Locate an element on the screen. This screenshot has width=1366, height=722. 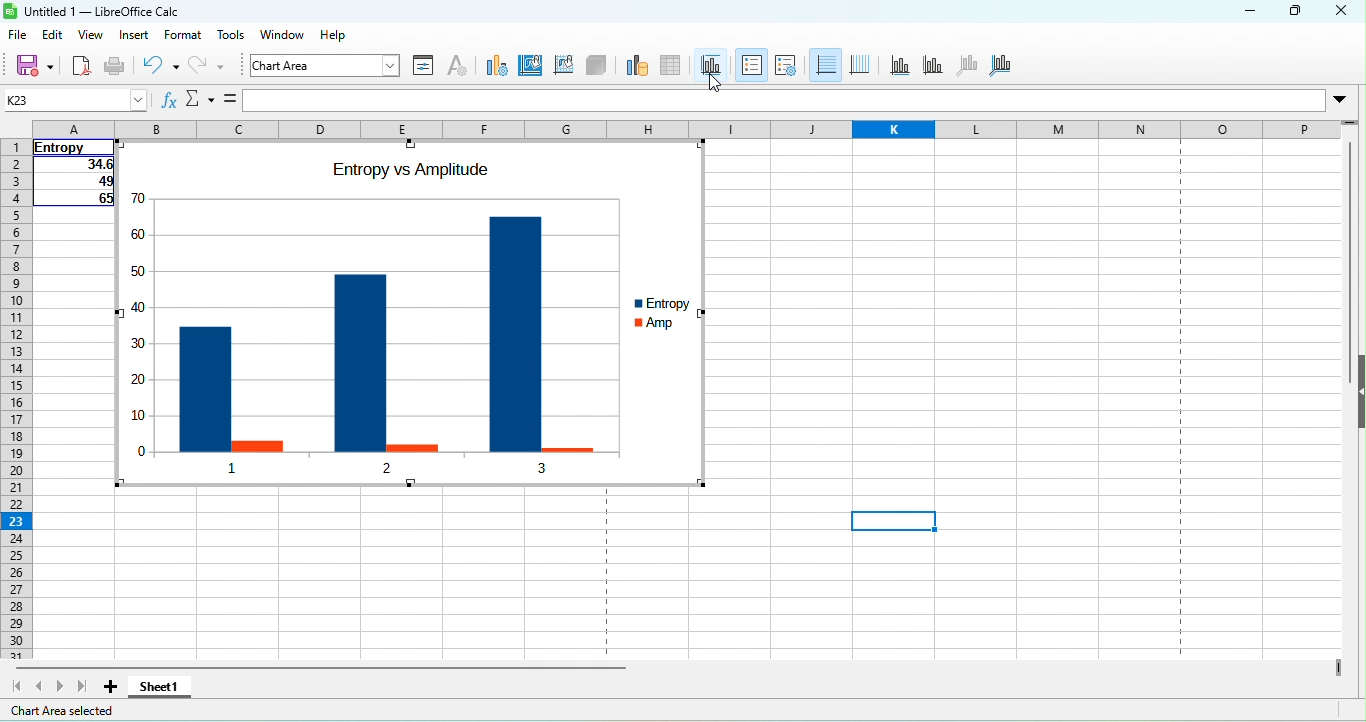
column headings is located at coordinates (686, 128).